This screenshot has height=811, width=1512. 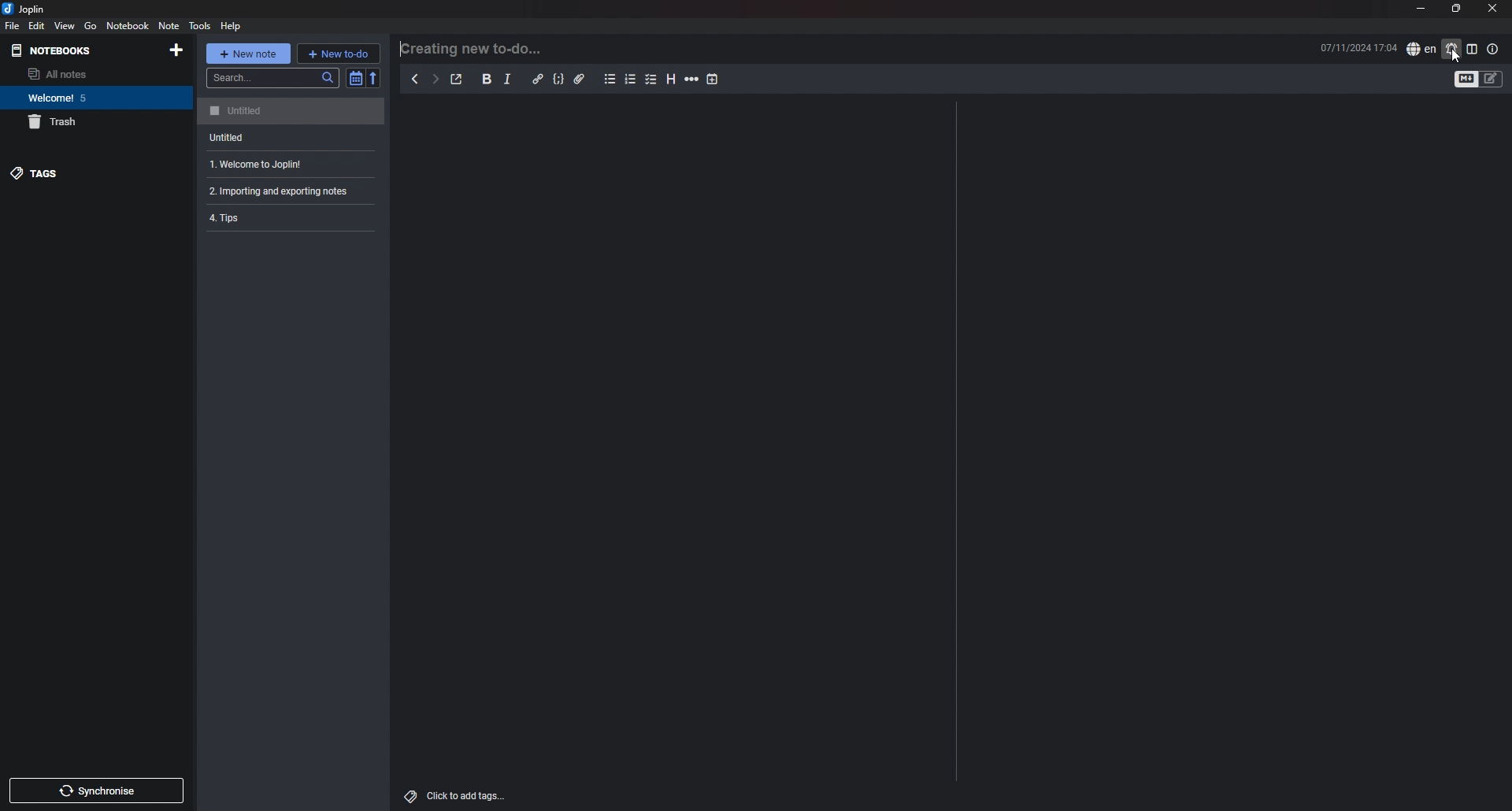 What do you see at coordinates (291, 191) in the screenshot?
I see `note` at bounding box center [291, 191].